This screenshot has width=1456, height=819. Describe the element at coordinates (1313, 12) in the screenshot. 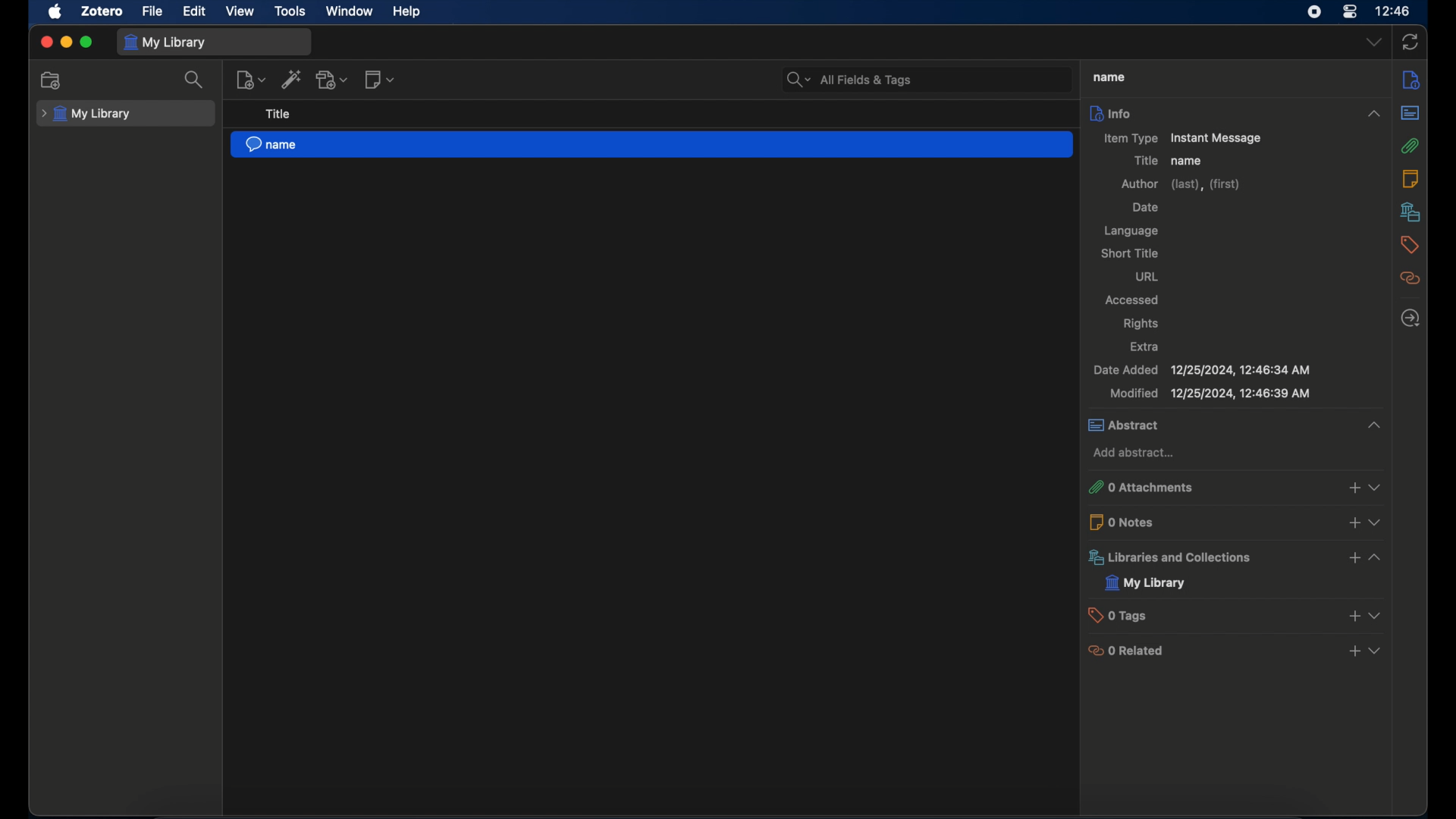

I see `screen recorder ` at that location.